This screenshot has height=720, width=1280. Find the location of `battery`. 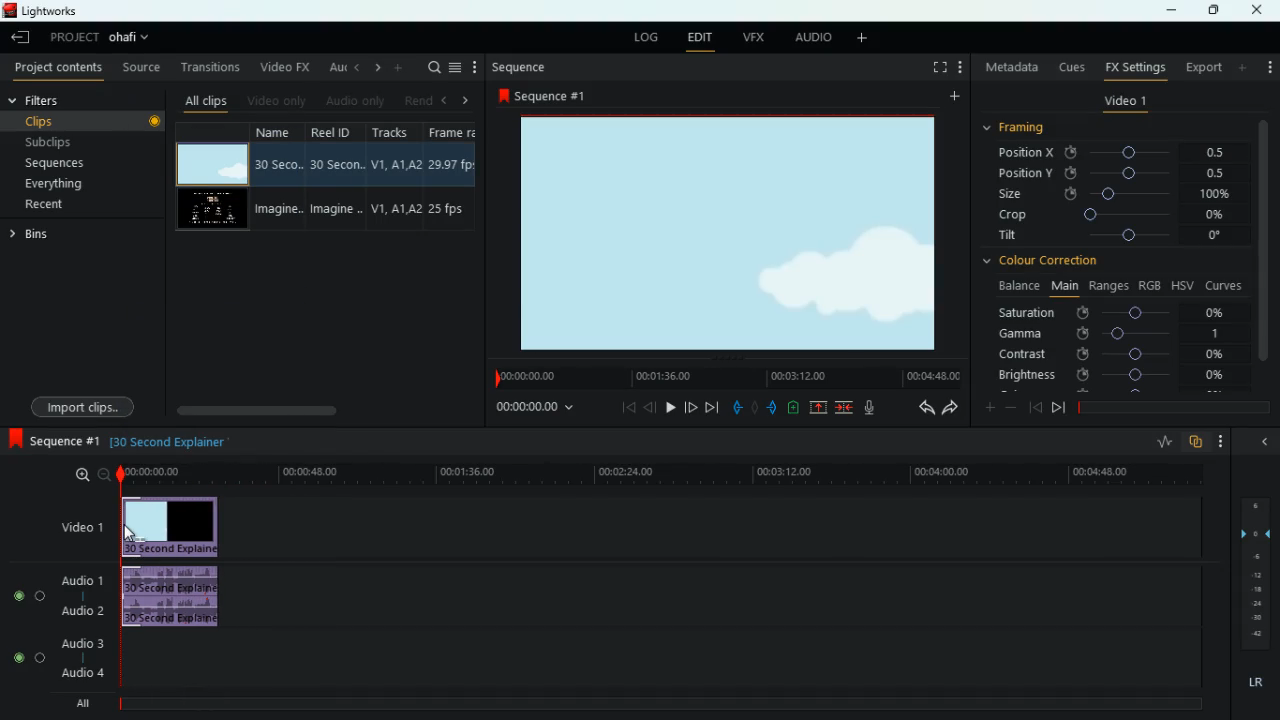

battery is located at coordinates (793, 407).